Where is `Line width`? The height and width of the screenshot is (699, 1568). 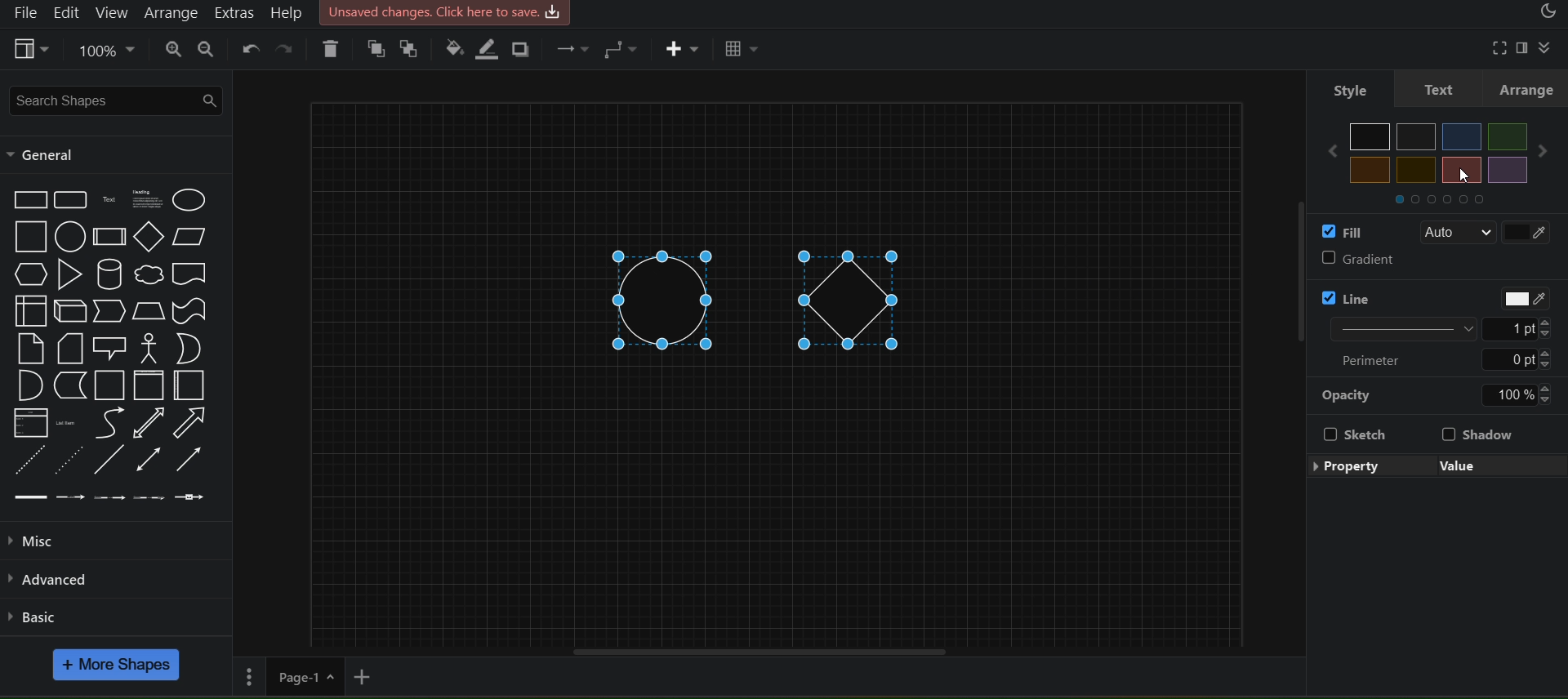
Line width is located at coordinates (1432, 329).